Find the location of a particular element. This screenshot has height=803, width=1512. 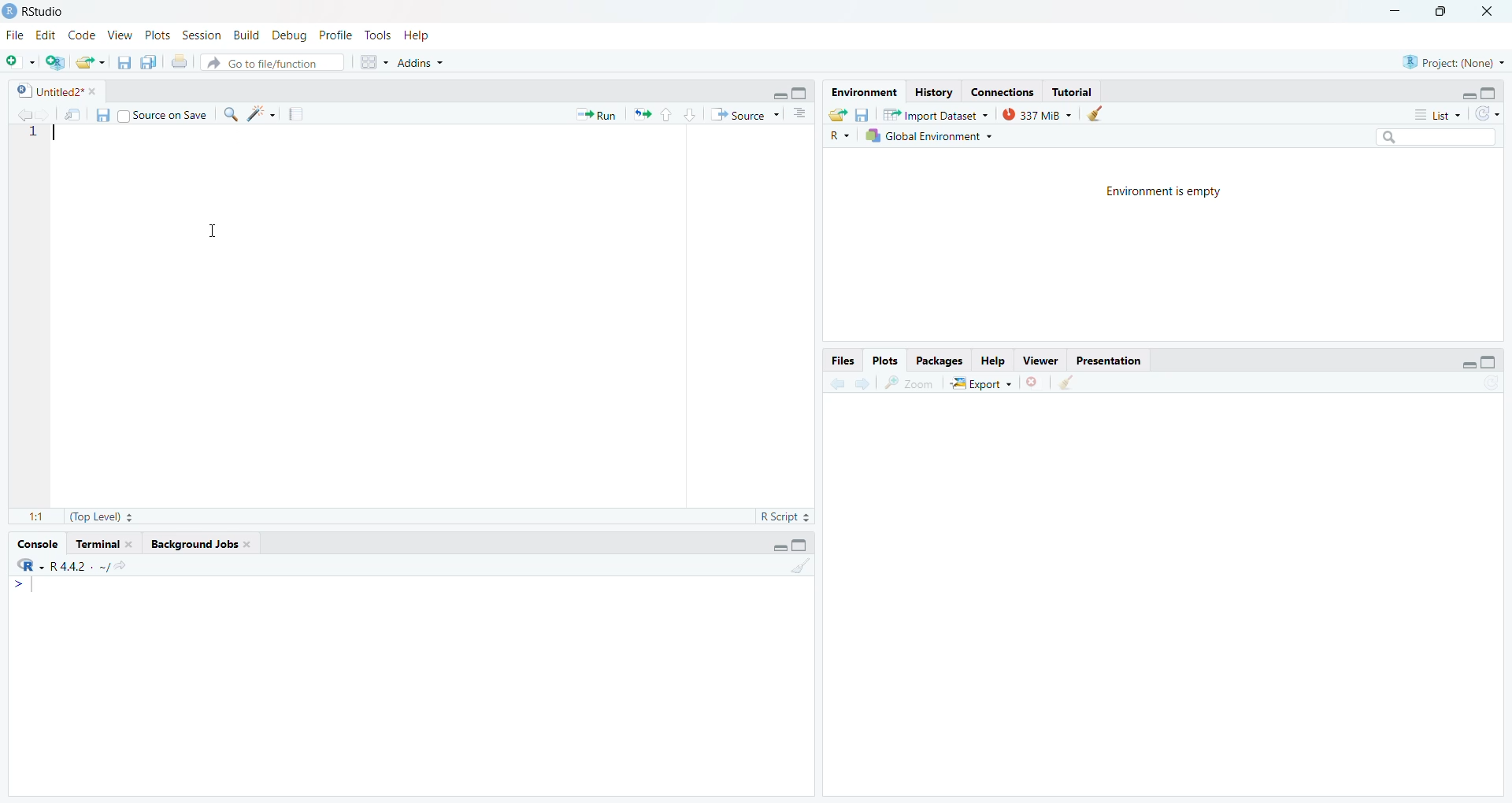

cursor is located at coordinates (218, 231).